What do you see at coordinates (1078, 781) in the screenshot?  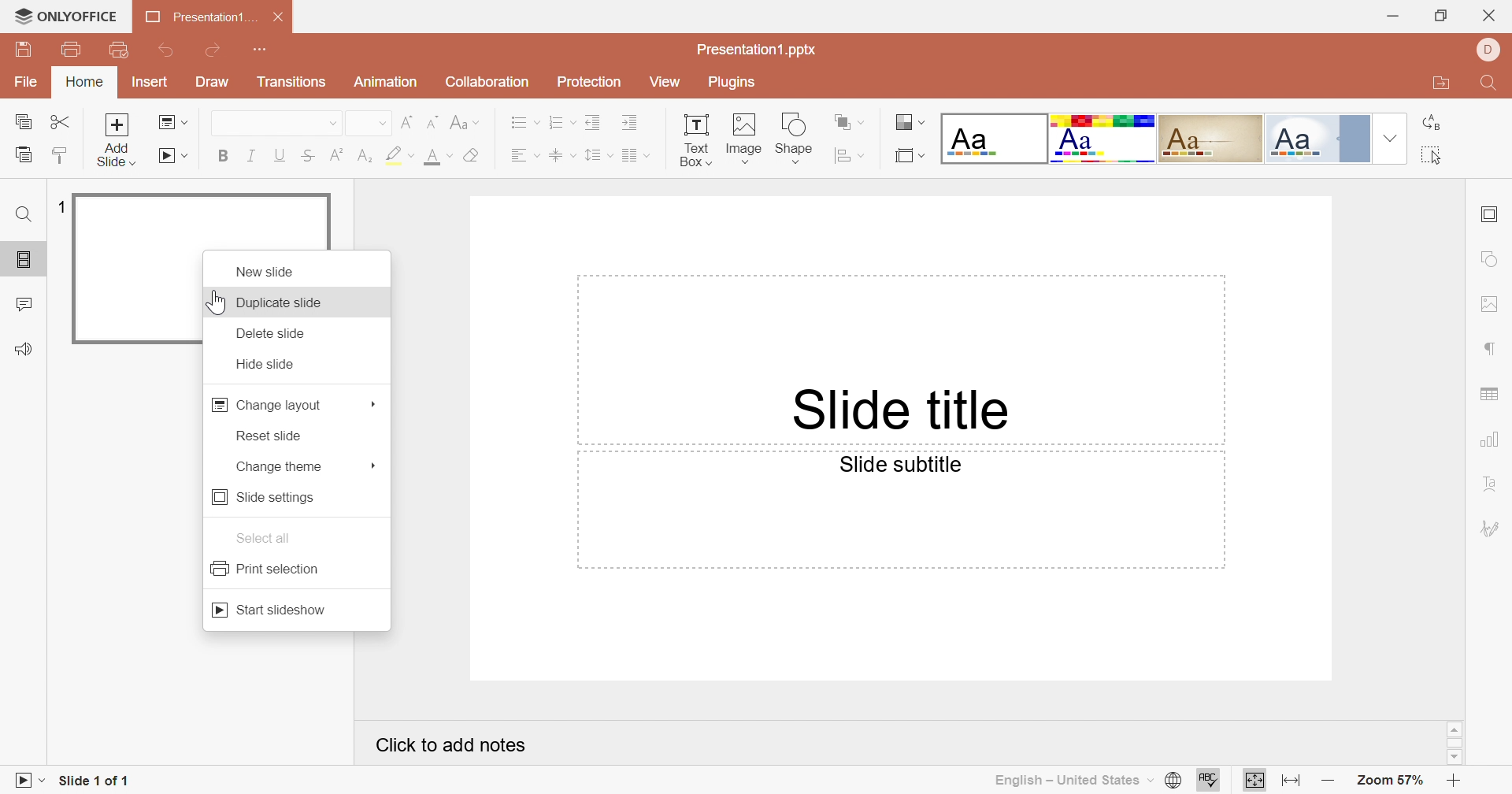 I see `English - United States` at bounding box center [1078, 781].